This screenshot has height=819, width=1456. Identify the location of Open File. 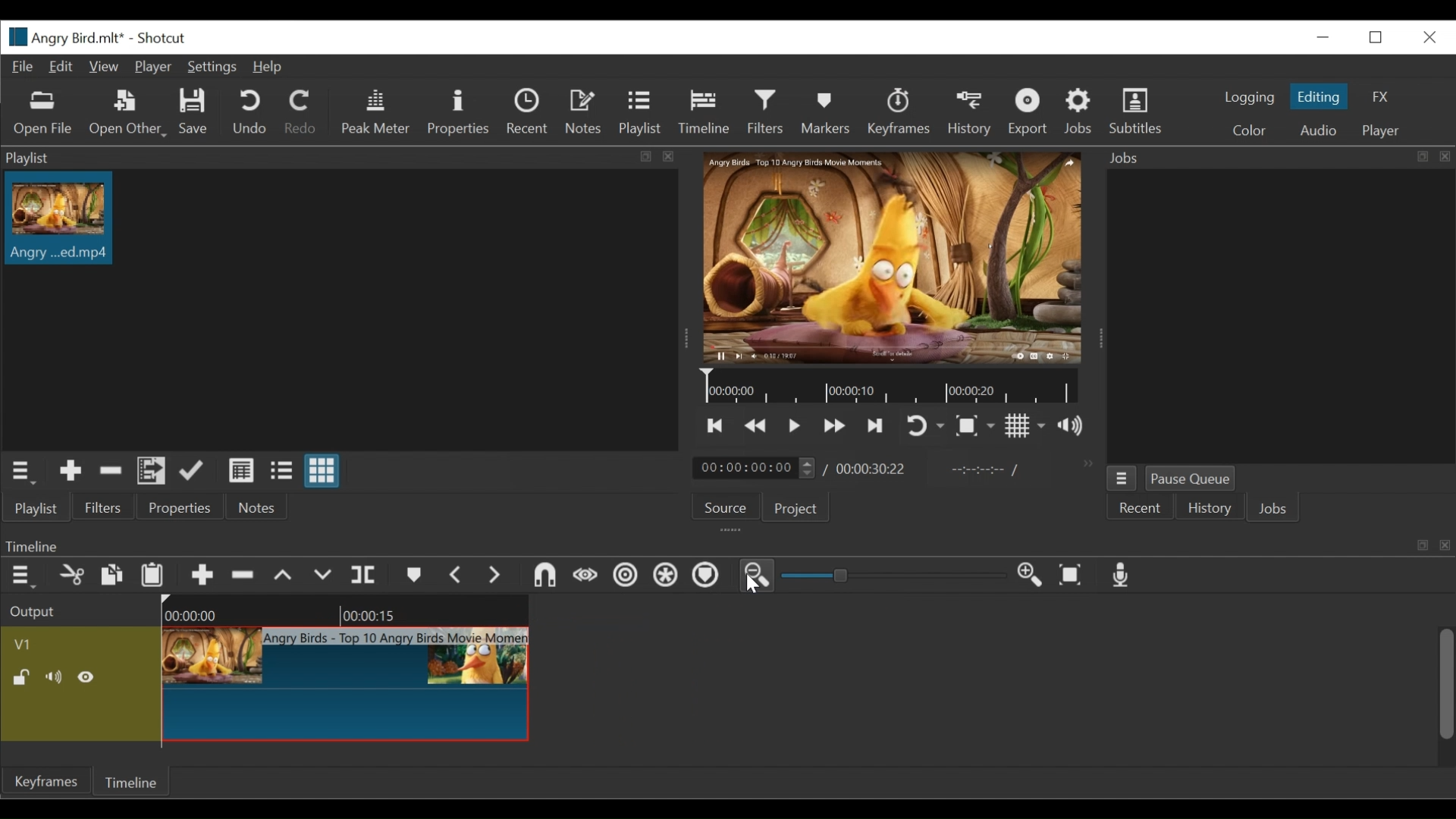
(42, 114).